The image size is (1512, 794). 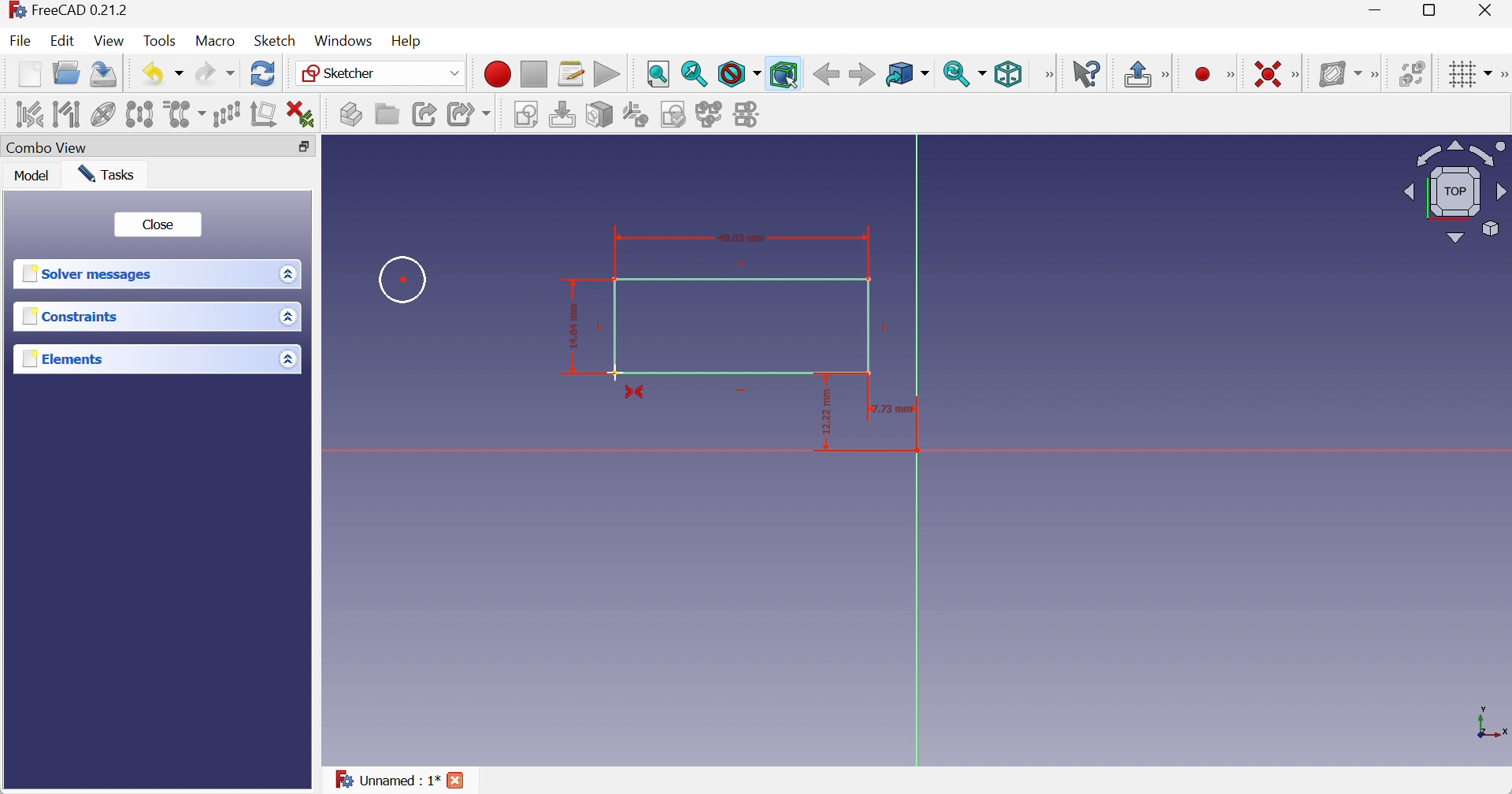 I want to click on Circle, so click(x=404, y=279).